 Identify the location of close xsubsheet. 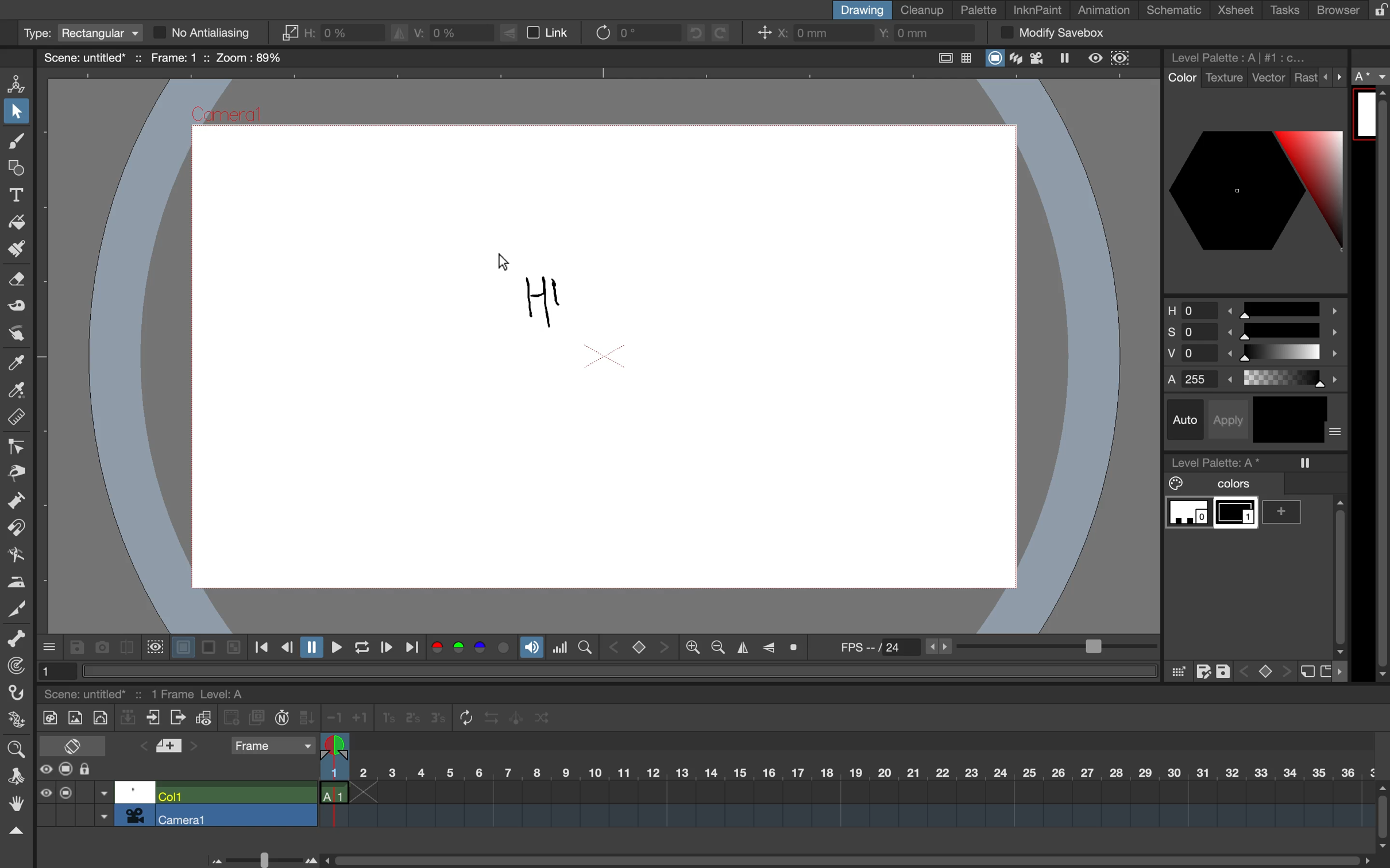
(153, 718).